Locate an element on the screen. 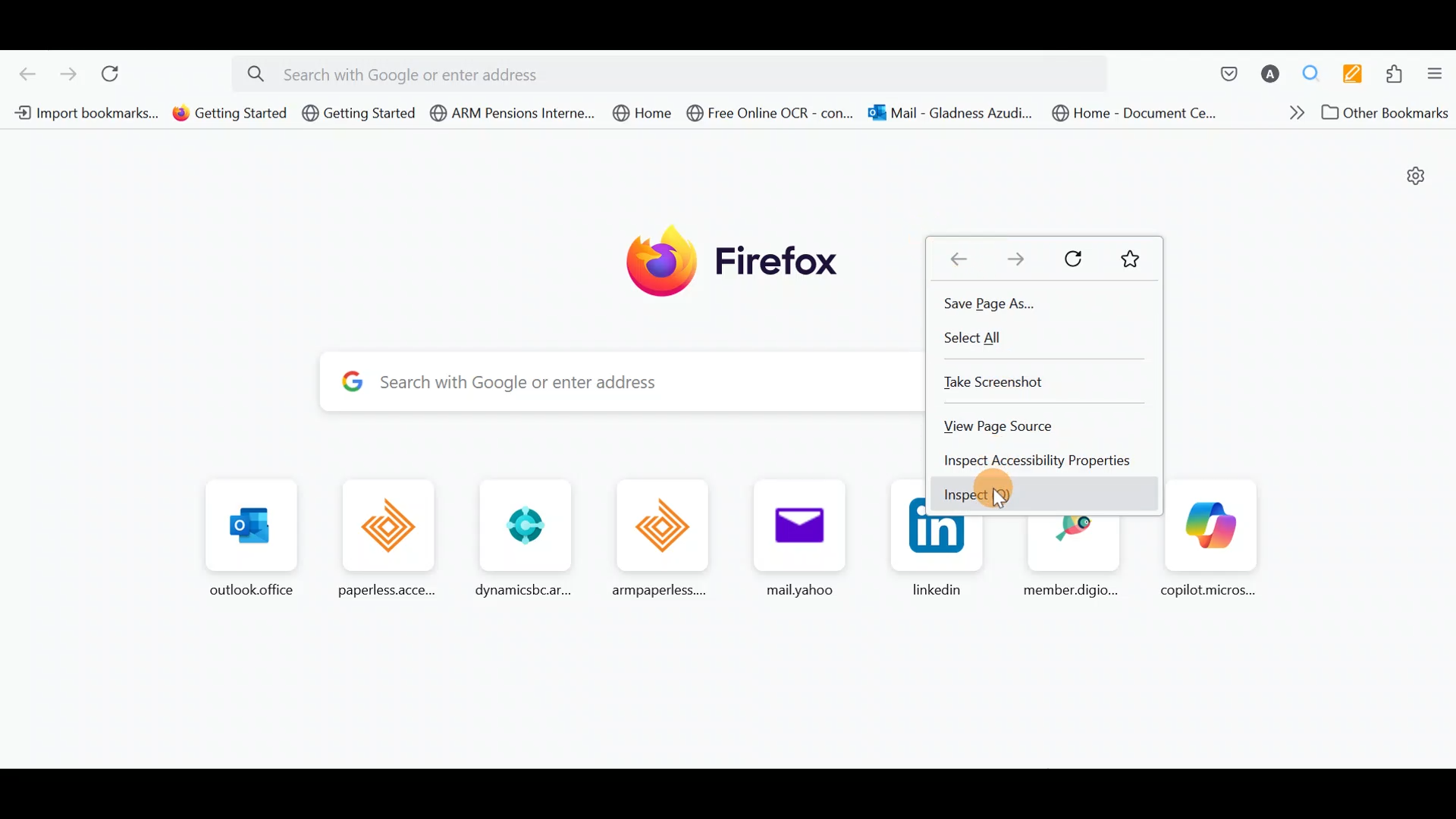 This screenshot has width=1456, height=819. Bookmarks is located at coordinates (1135, 262).